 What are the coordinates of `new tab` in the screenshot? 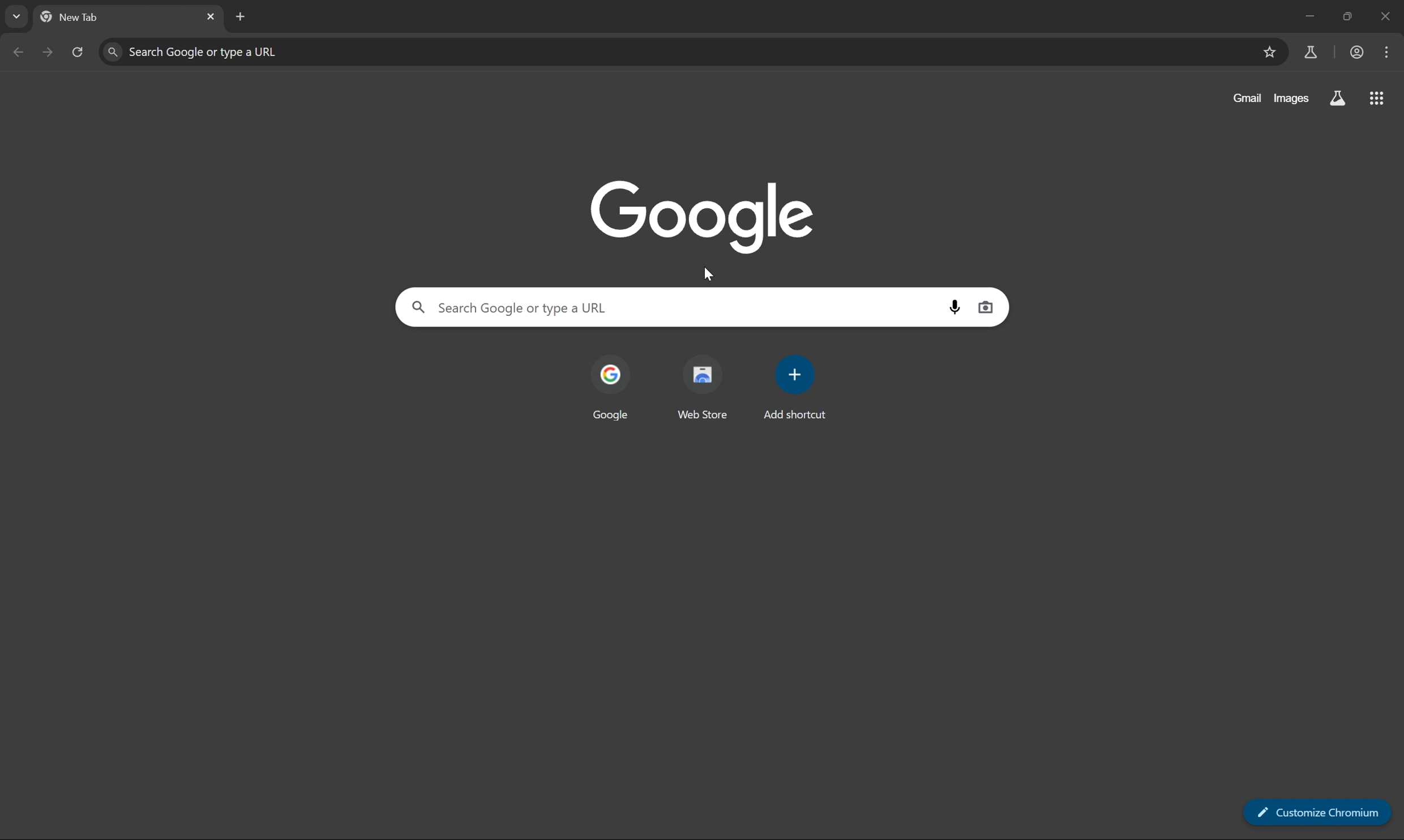 It's located at (239, 17).